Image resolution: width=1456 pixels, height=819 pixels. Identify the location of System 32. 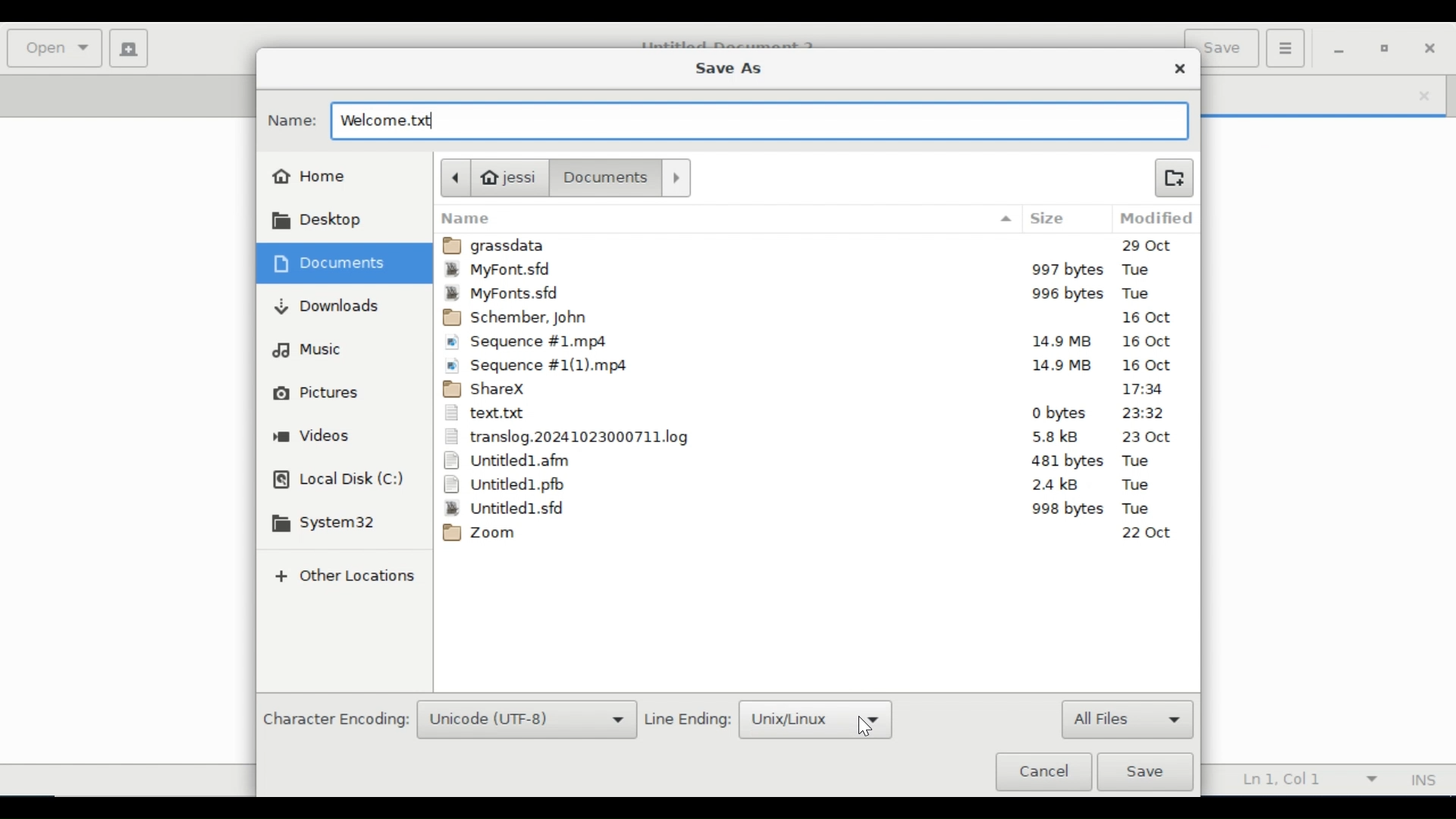
(322, 523).